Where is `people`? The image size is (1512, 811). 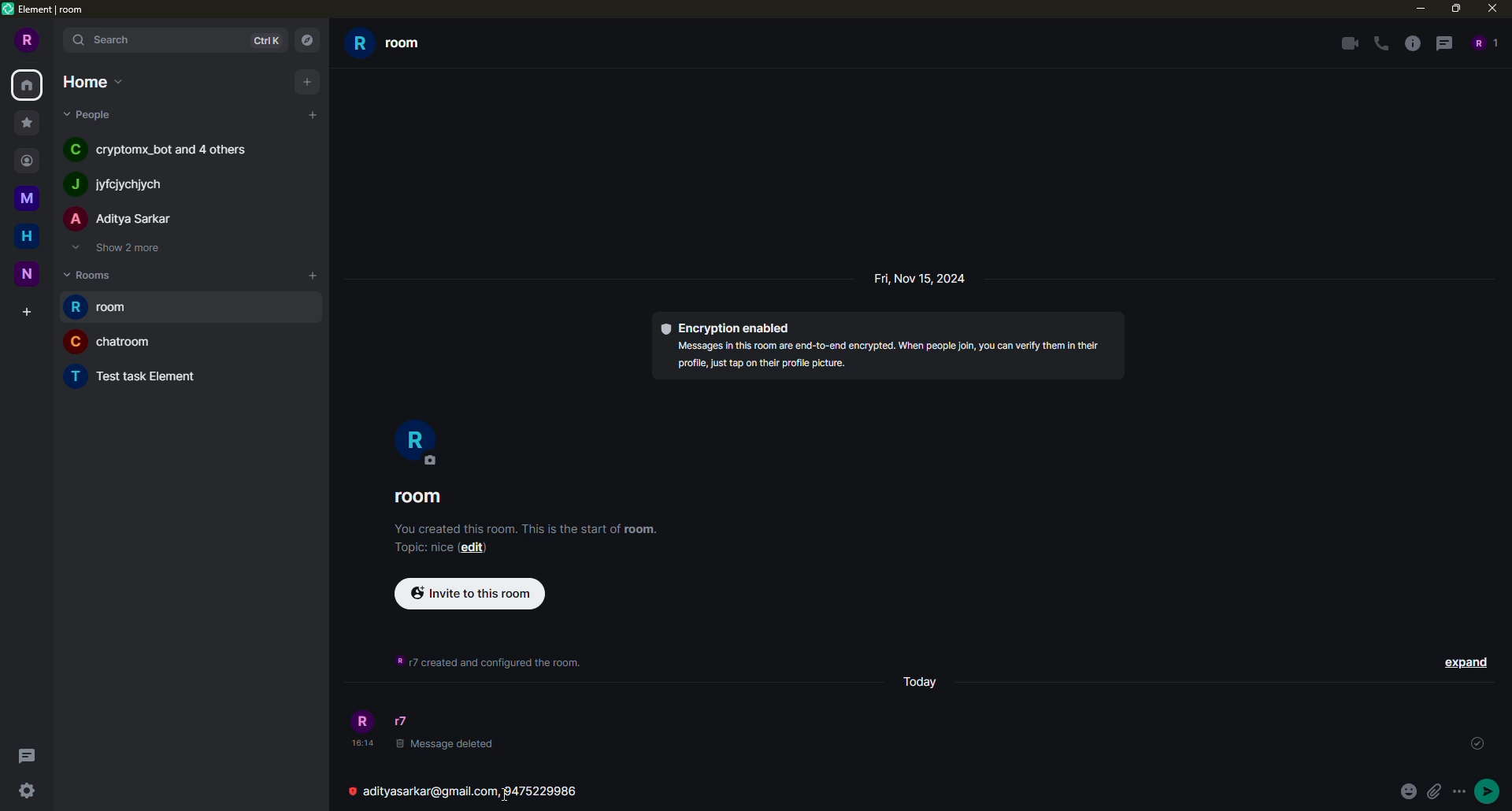
people is located at coordinates (161, 149).